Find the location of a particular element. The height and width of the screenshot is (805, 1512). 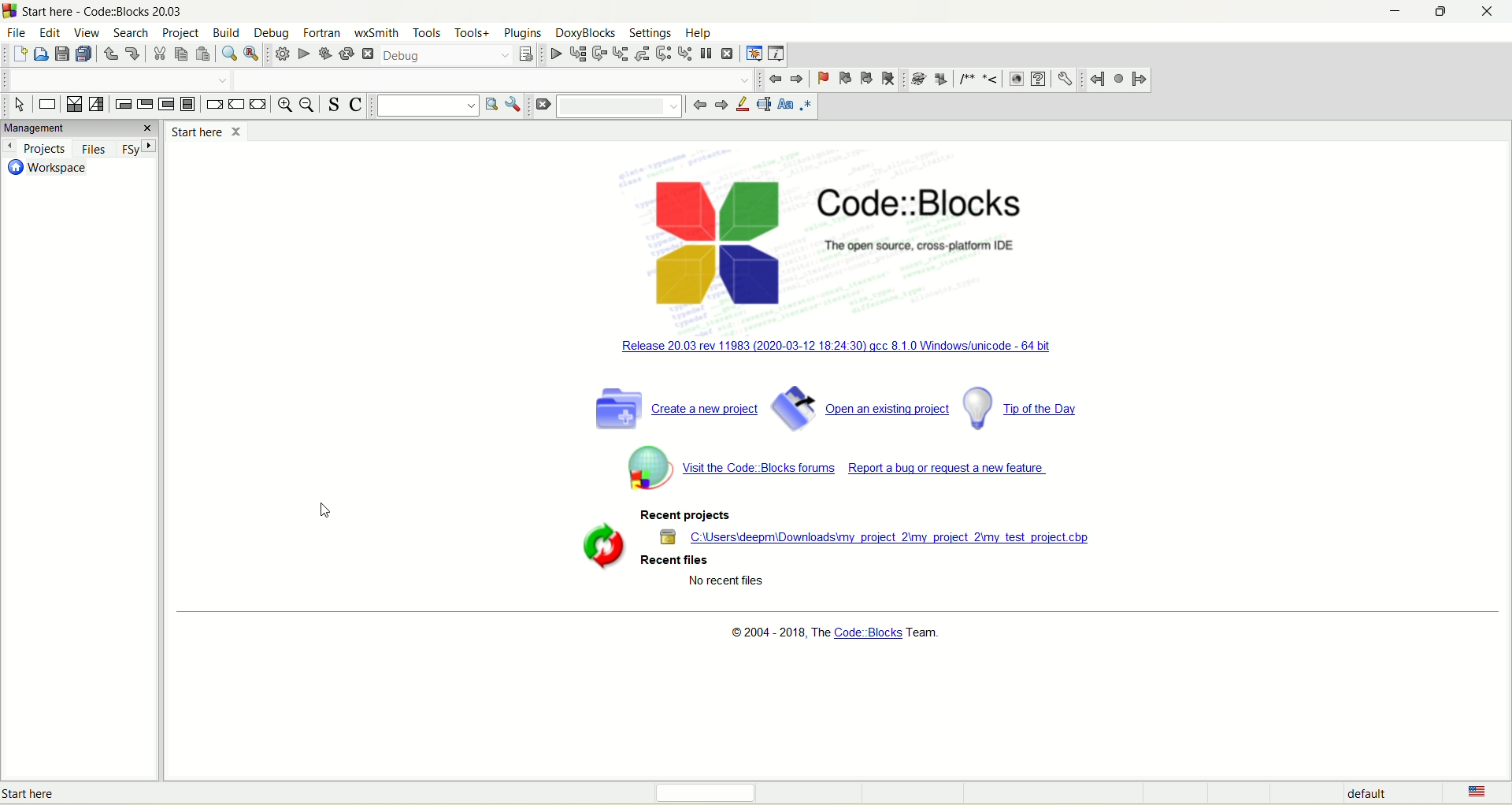

decision is located at coordinates (76, 103).